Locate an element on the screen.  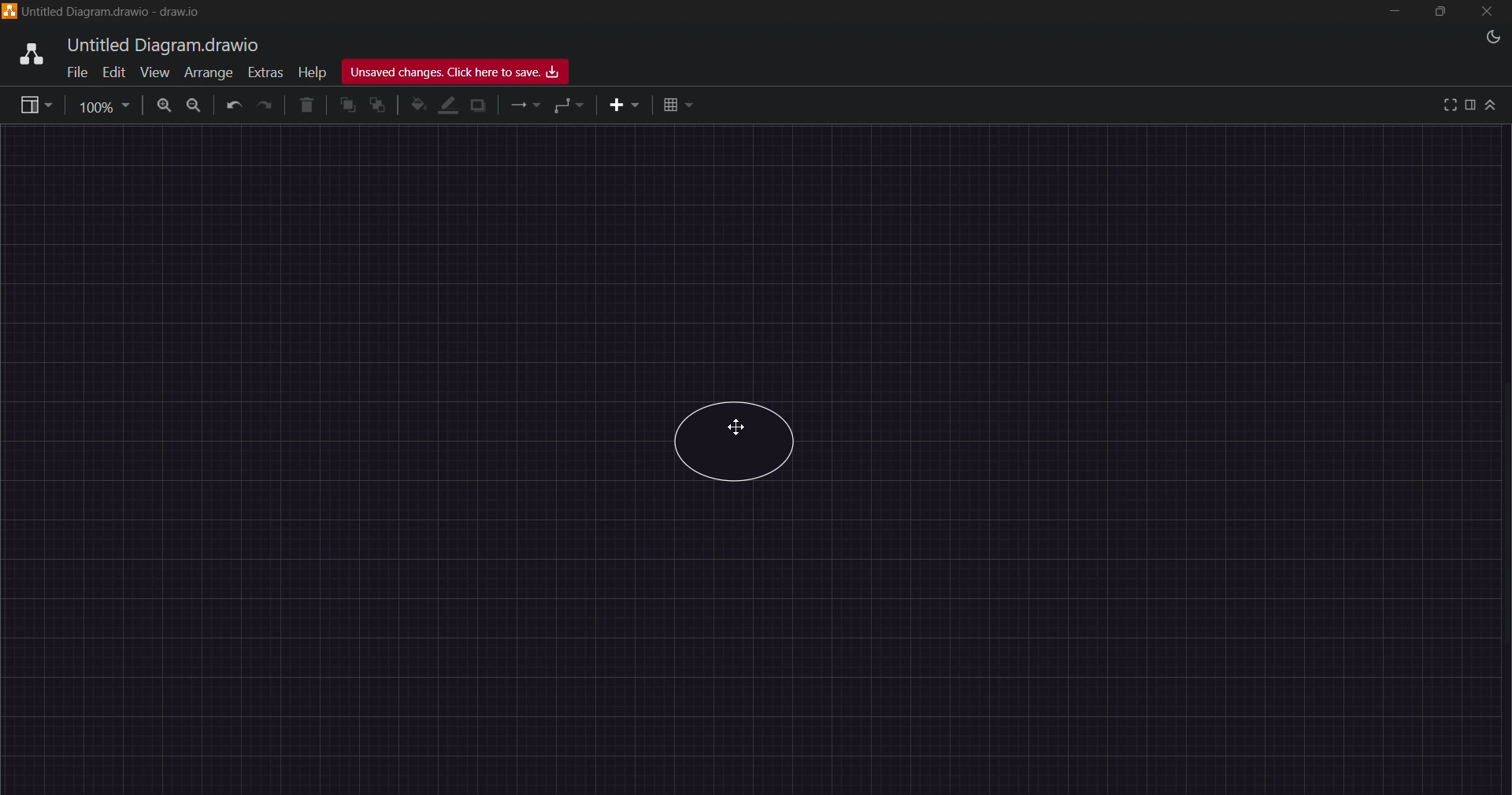
insert is located at coordinates (625, 105).